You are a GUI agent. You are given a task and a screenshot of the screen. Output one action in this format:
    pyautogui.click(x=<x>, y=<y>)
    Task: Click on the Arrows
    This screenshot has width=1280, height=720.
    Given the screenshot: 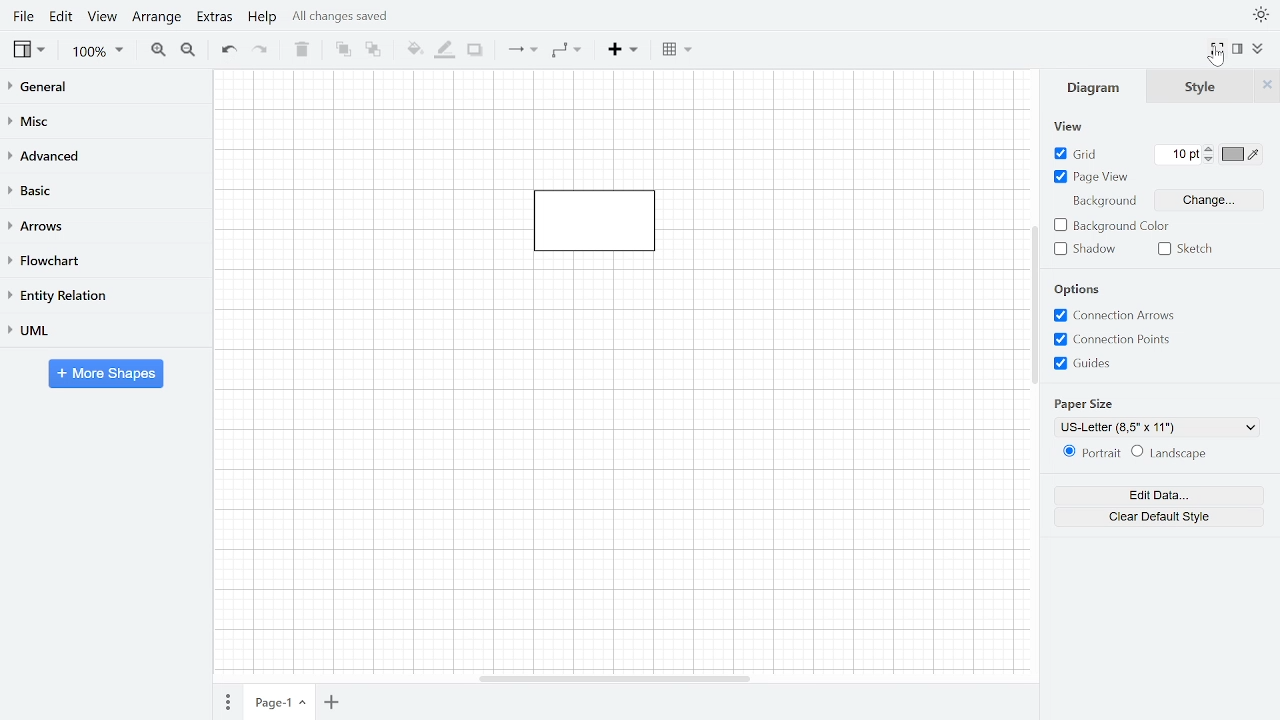 What is the action you would take?
    pyautogui.click(x=104, y=227)
    